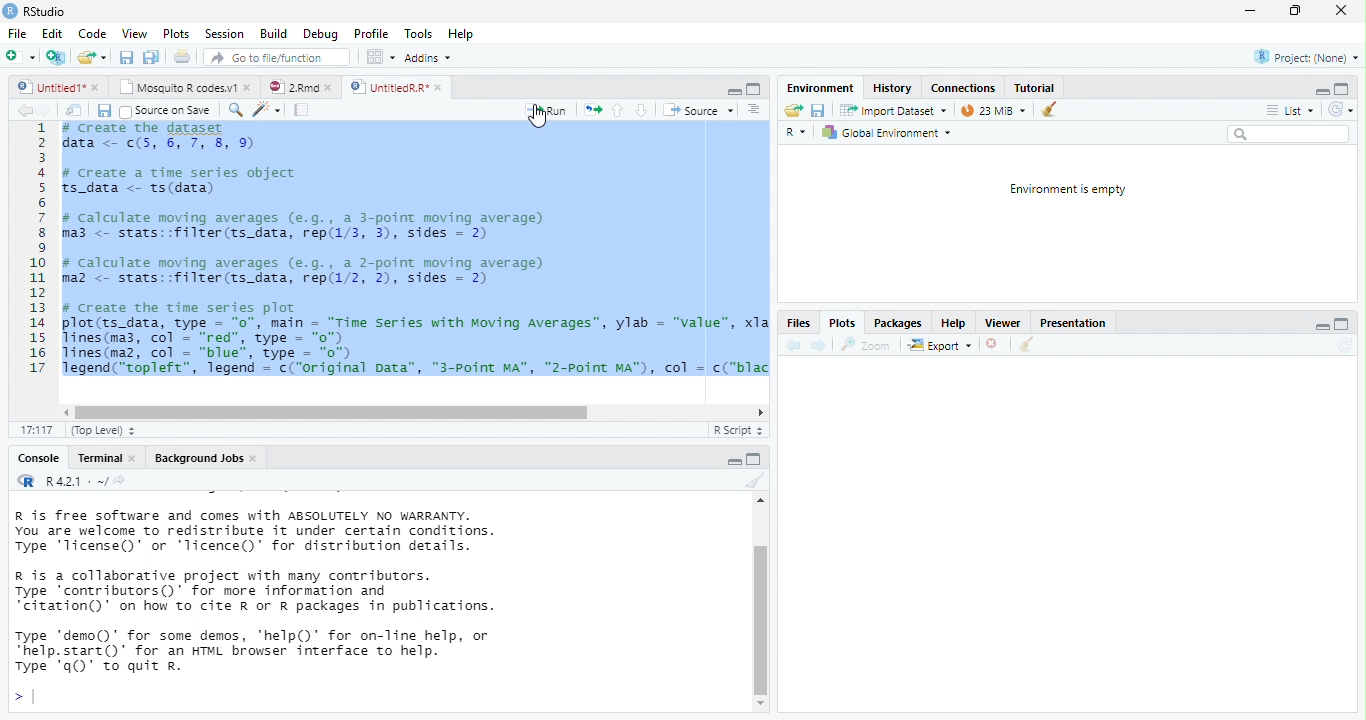 The width and height of the screenshot is (1366, 720). Describe the element at coordinates (19, 57) in the screenshot. I see `New file` at that location.